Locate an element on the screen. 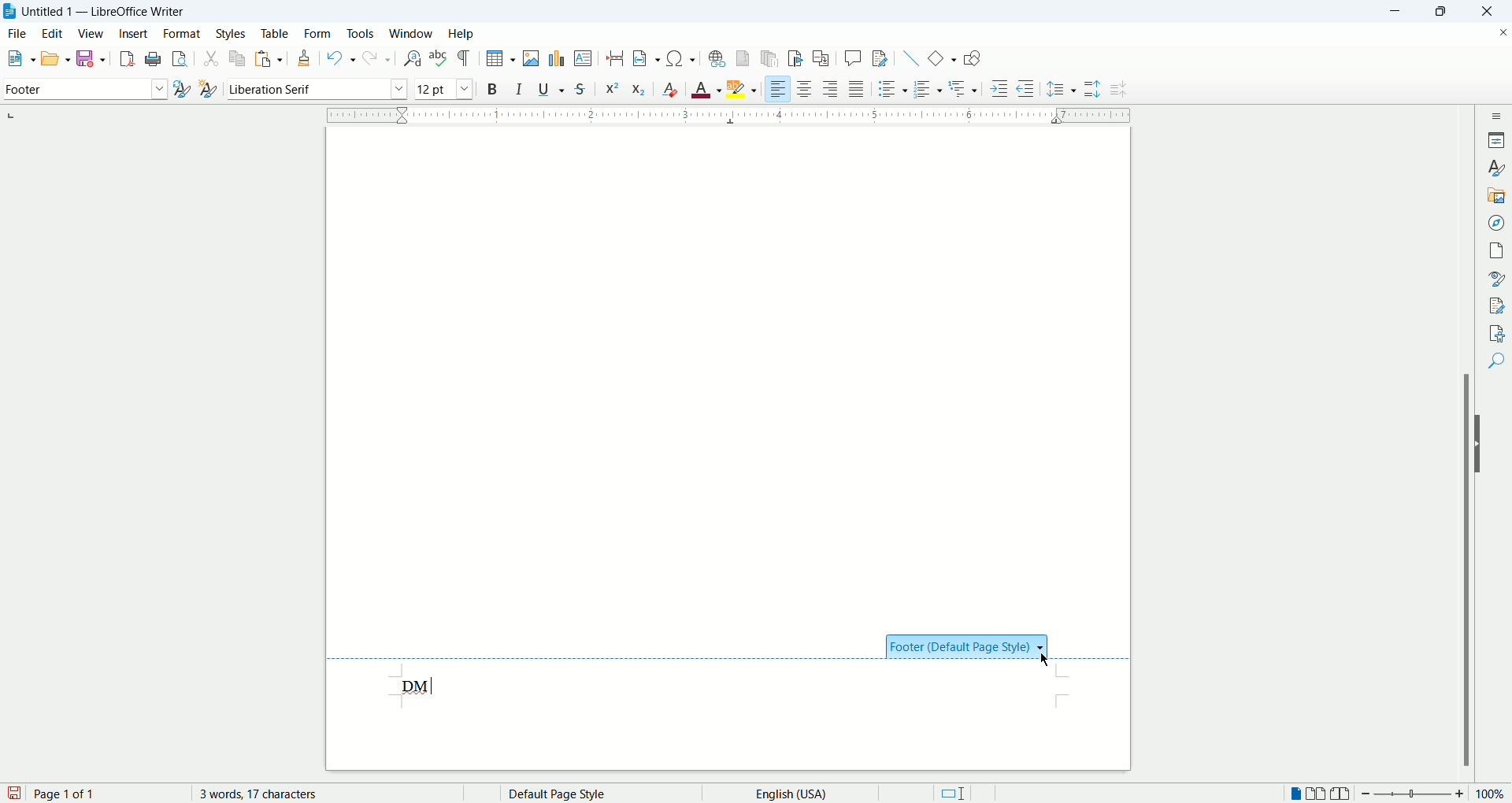 The width and height of the screenshot is (1512, 803). insert footnote is located at coordinates (743, 58).